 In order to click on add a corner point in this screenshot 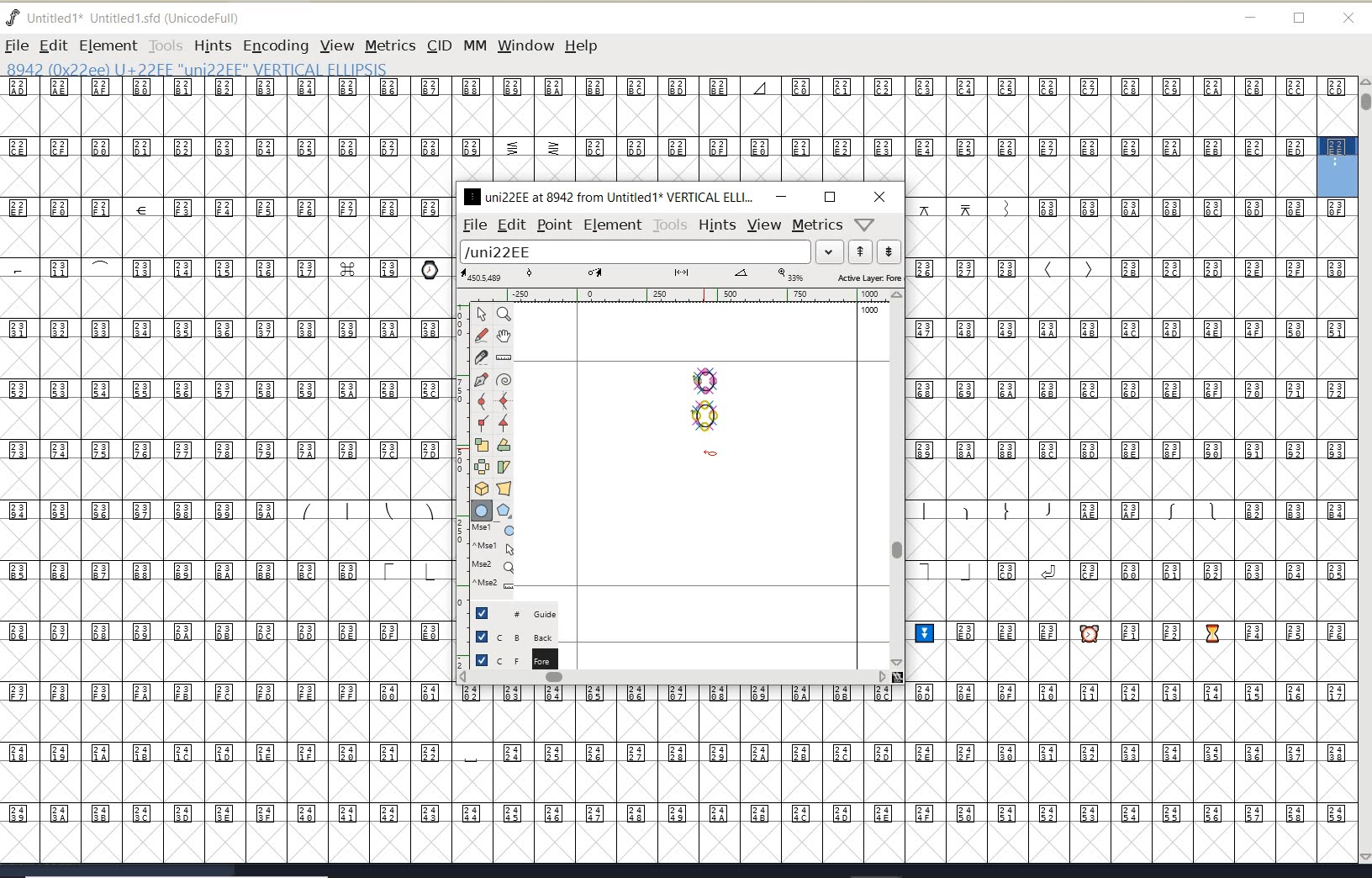, I will do `click(483, 422)`.